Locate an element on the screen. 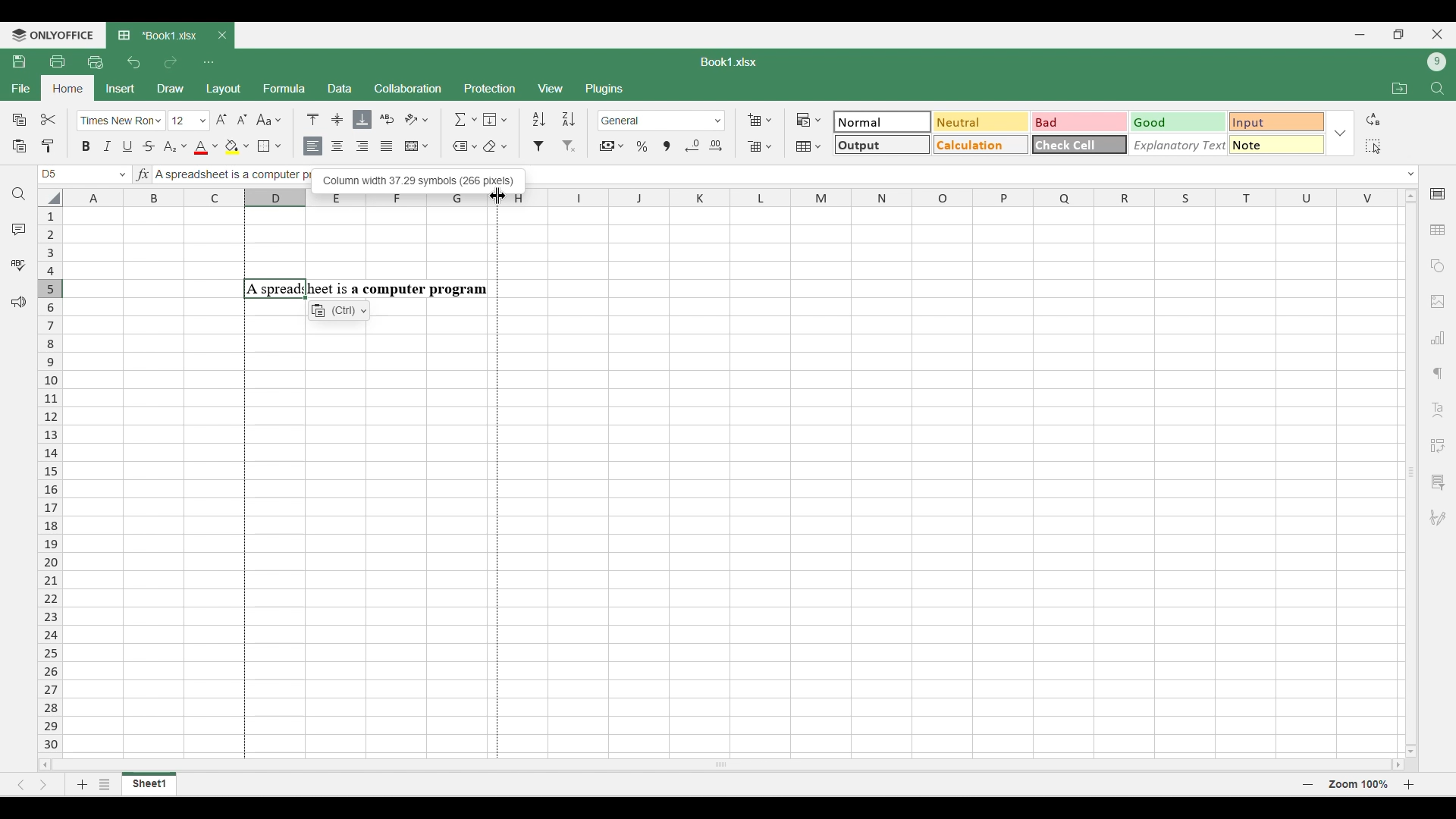 This screenshot has height=819, width=1456. Fill options is located at coordinates (495, 119).